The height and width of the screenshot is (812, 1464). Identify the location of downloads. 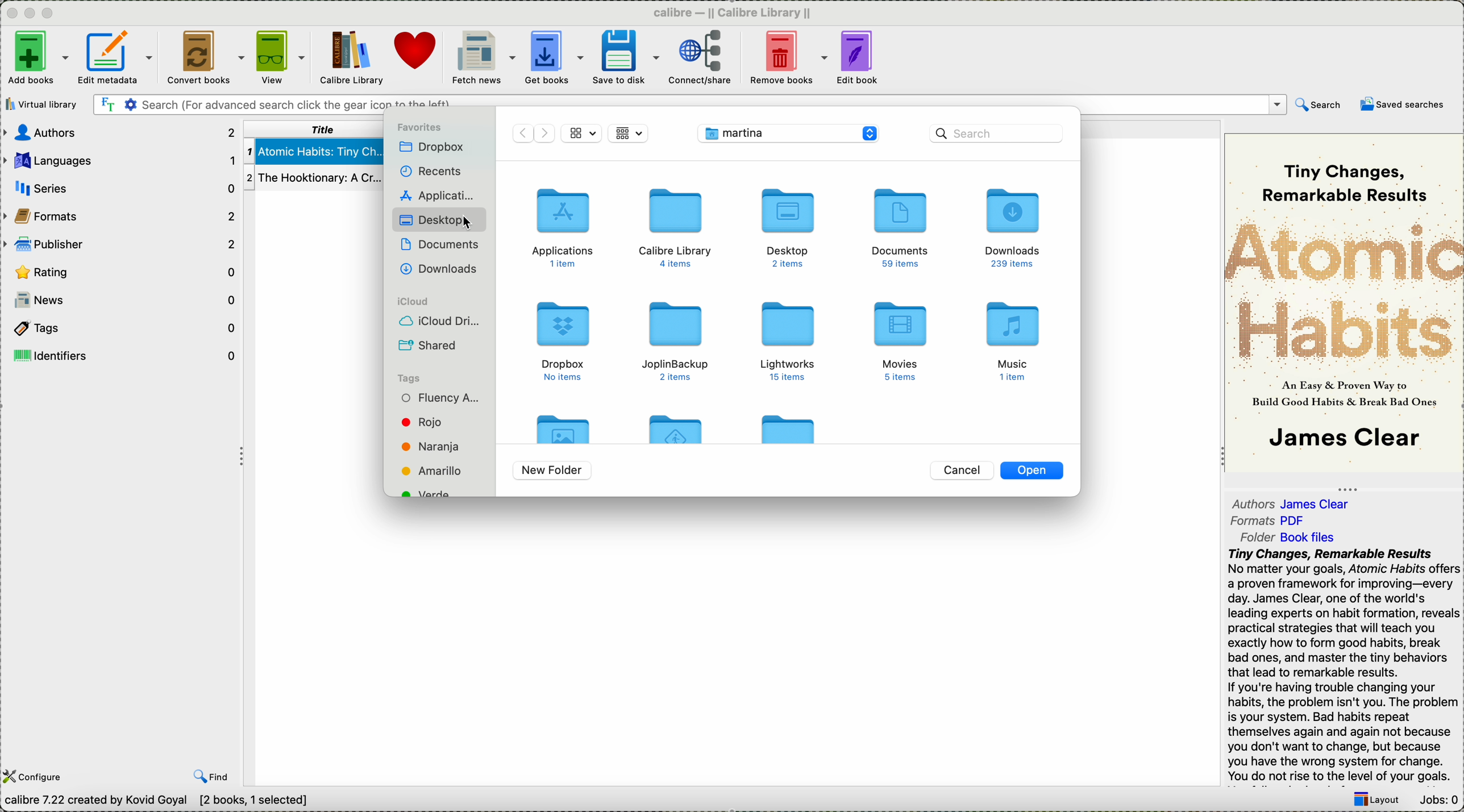
(443, 270).